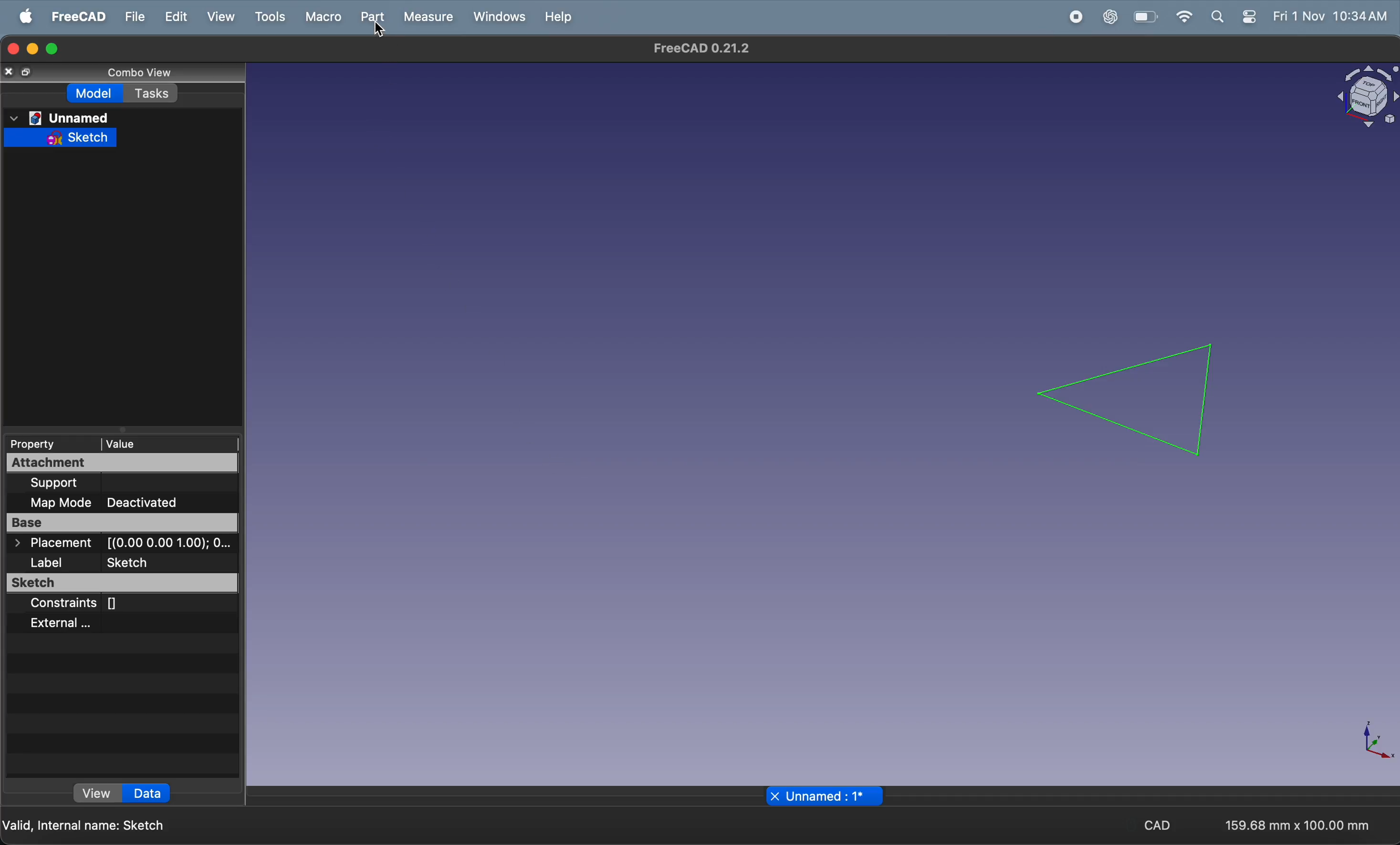 This screenshot has height=845, width=1400. What do you see at coordinates (1359, 98) in the screenshot?
I see `object view` at bounding box center [1359, 98].